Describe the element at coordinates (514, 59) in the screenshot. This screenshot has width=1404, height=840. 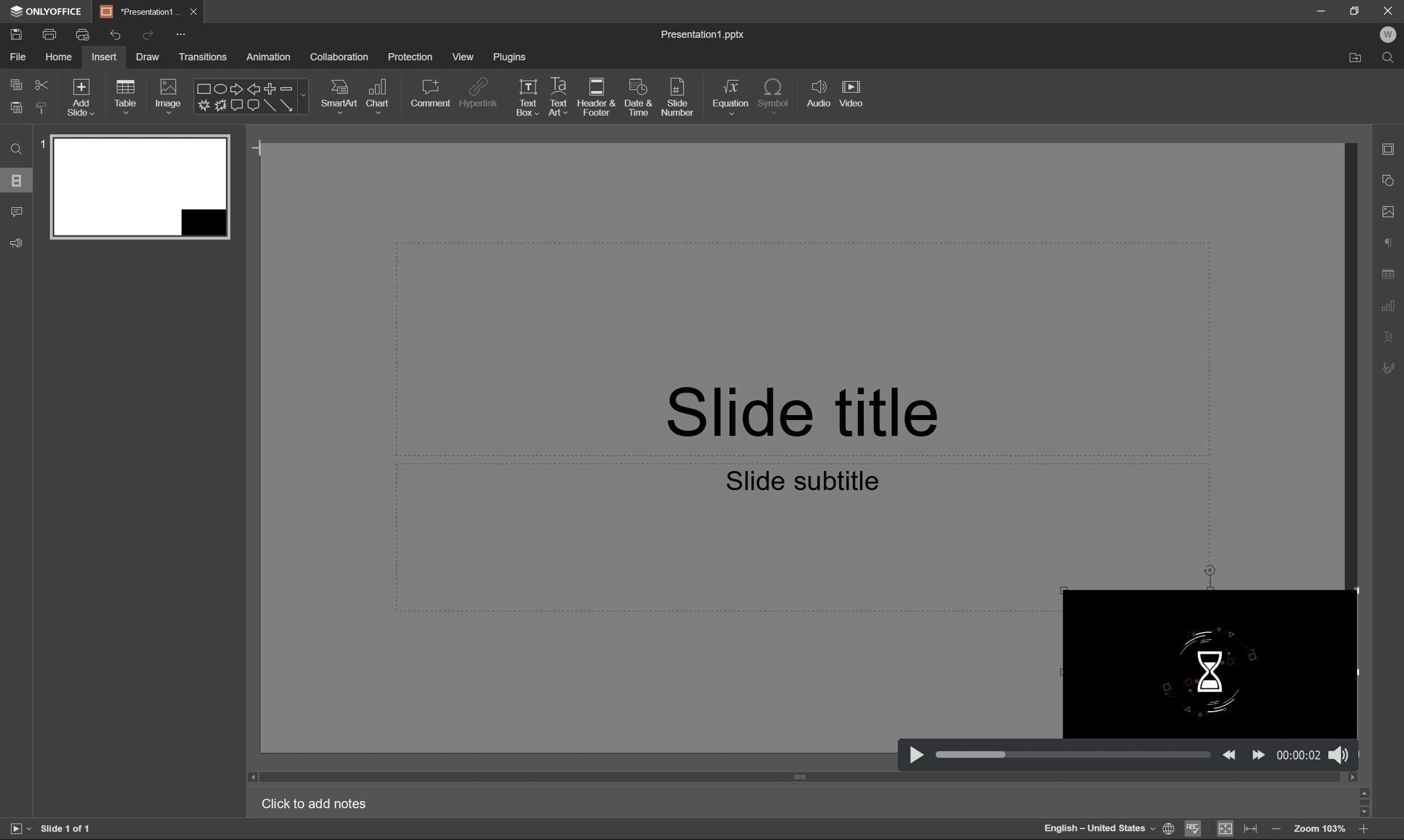
I see `plugins` at that location.